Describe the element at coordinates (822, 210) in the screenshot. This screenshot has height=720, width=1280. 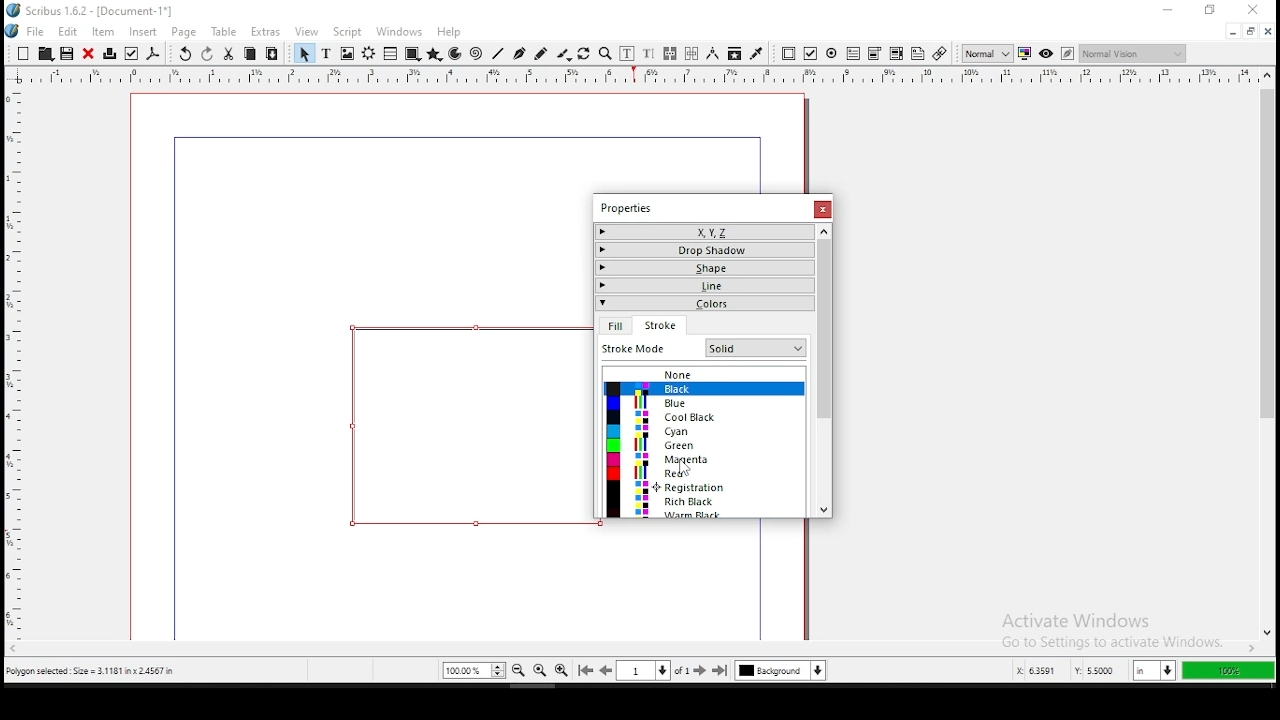
I see `close window` at that location.